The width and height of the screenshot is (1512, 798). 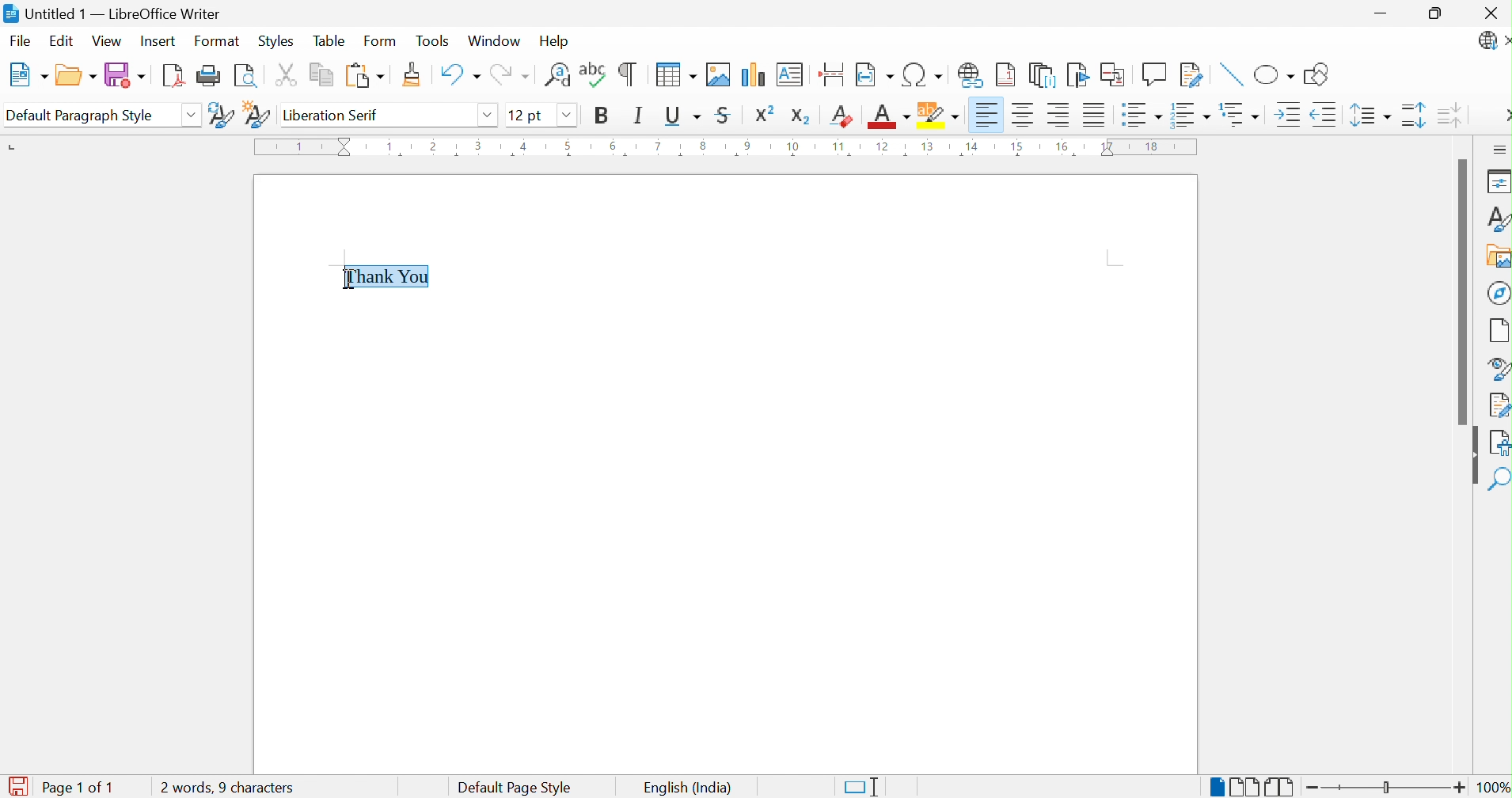 I want to click on Paste, so click(x=365, y=76).